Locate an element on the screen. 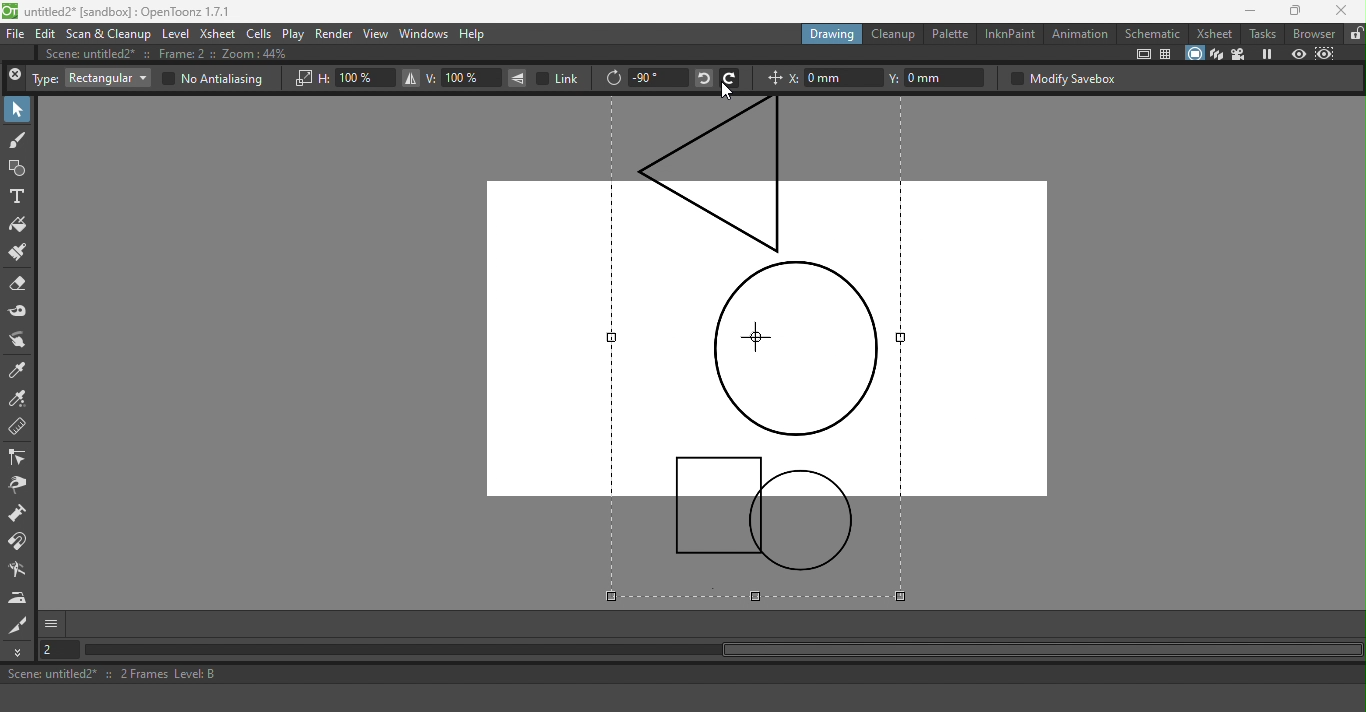 The height and width of the screenshot is (712, 1366). Scale is located at coordinates (302, 79).